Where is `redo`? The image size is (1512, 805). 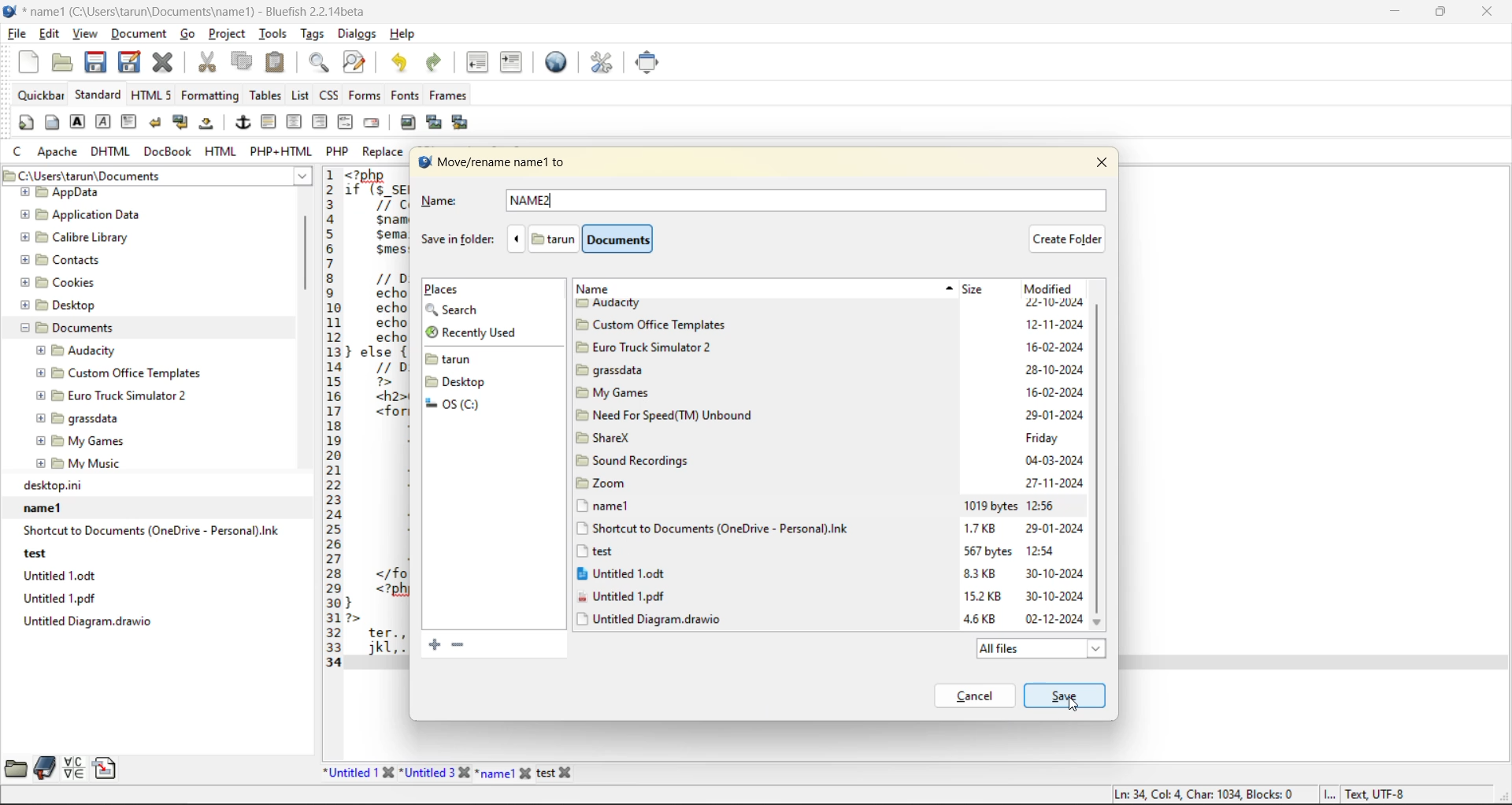 redo is located at coordinates (437, 62).